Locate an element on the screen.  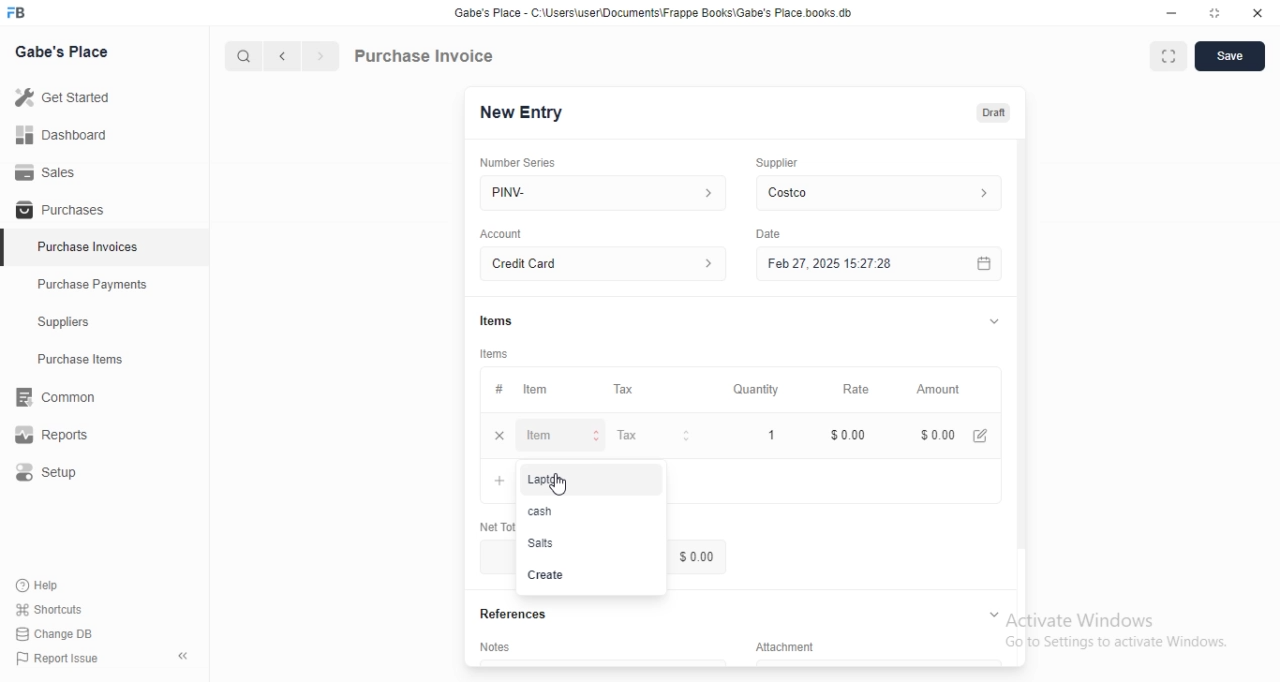
Dashboard is located at coordinates (104, 134).